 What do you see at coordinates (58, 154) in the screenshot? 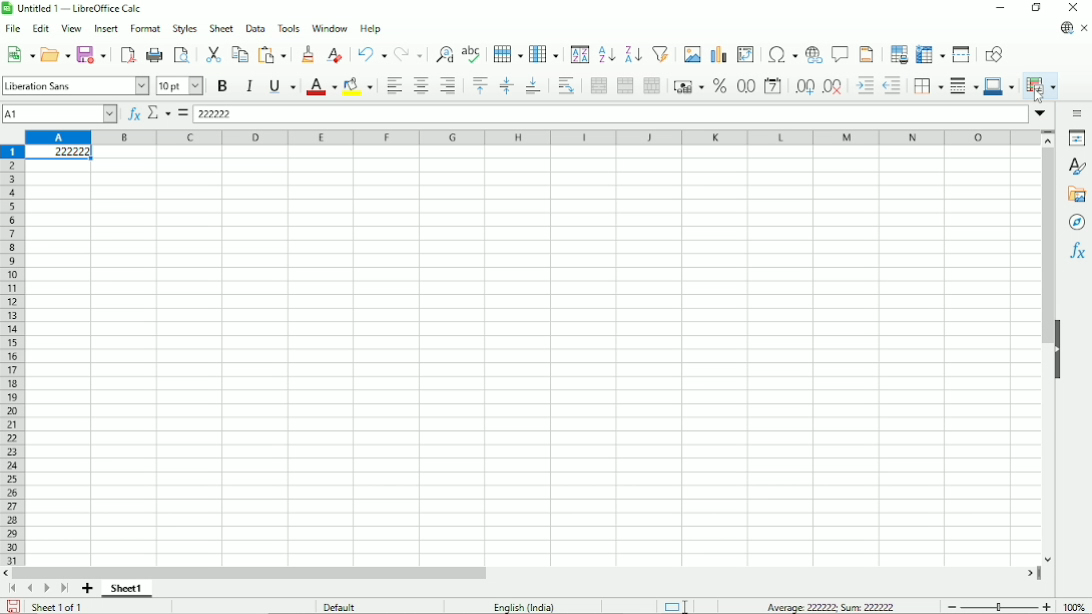
I see `222222` at bounding box center [58, 154].